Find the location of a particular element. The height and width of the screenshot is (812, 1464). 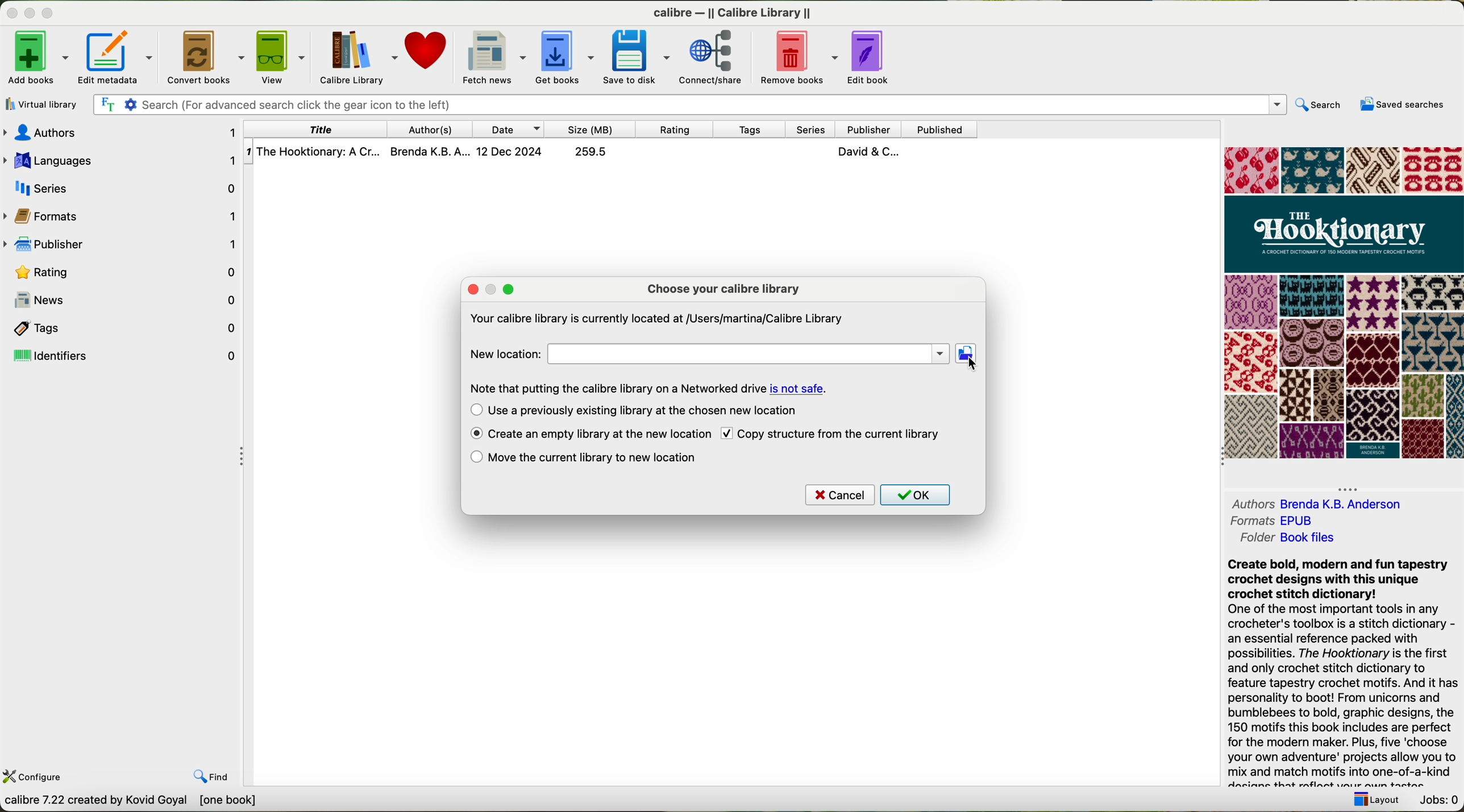

copy structure from current library is located at coordinates (841, 434).